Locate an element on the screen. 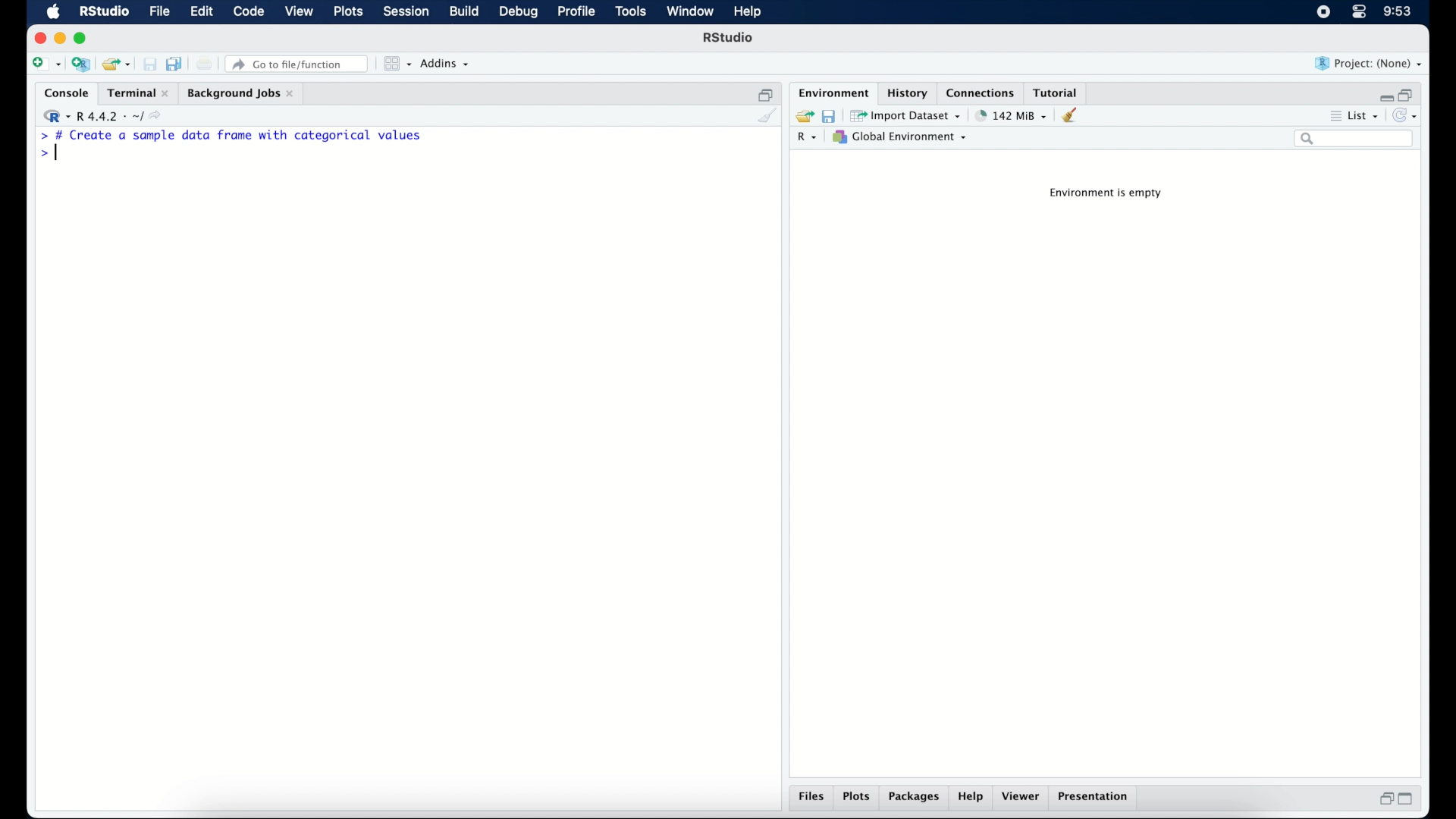  list is located at coordinates (1366, 115).